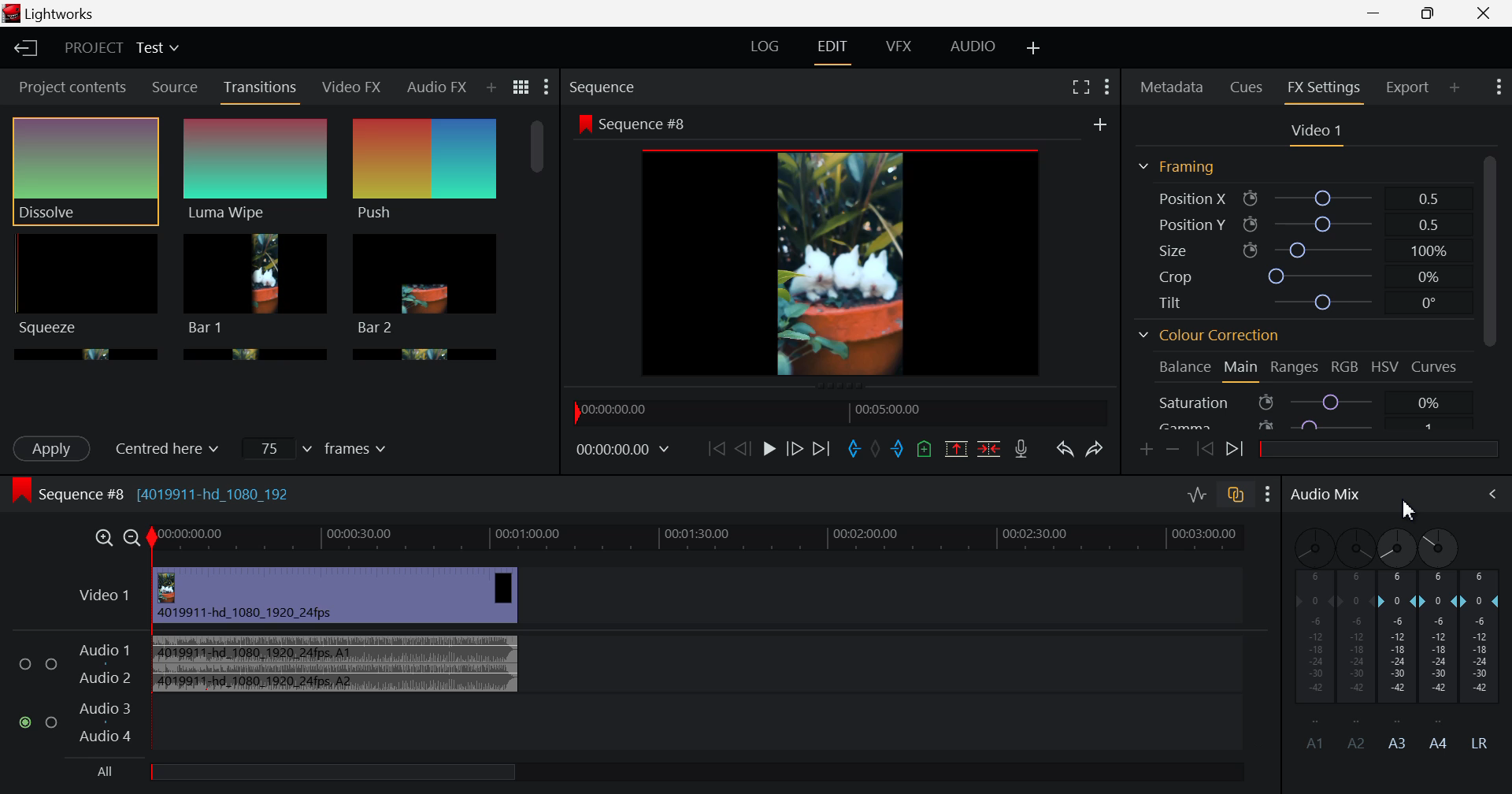  Describe the element at coordinates (1326, 90) in the screenshot. I see `FX Settings Open` at that location.